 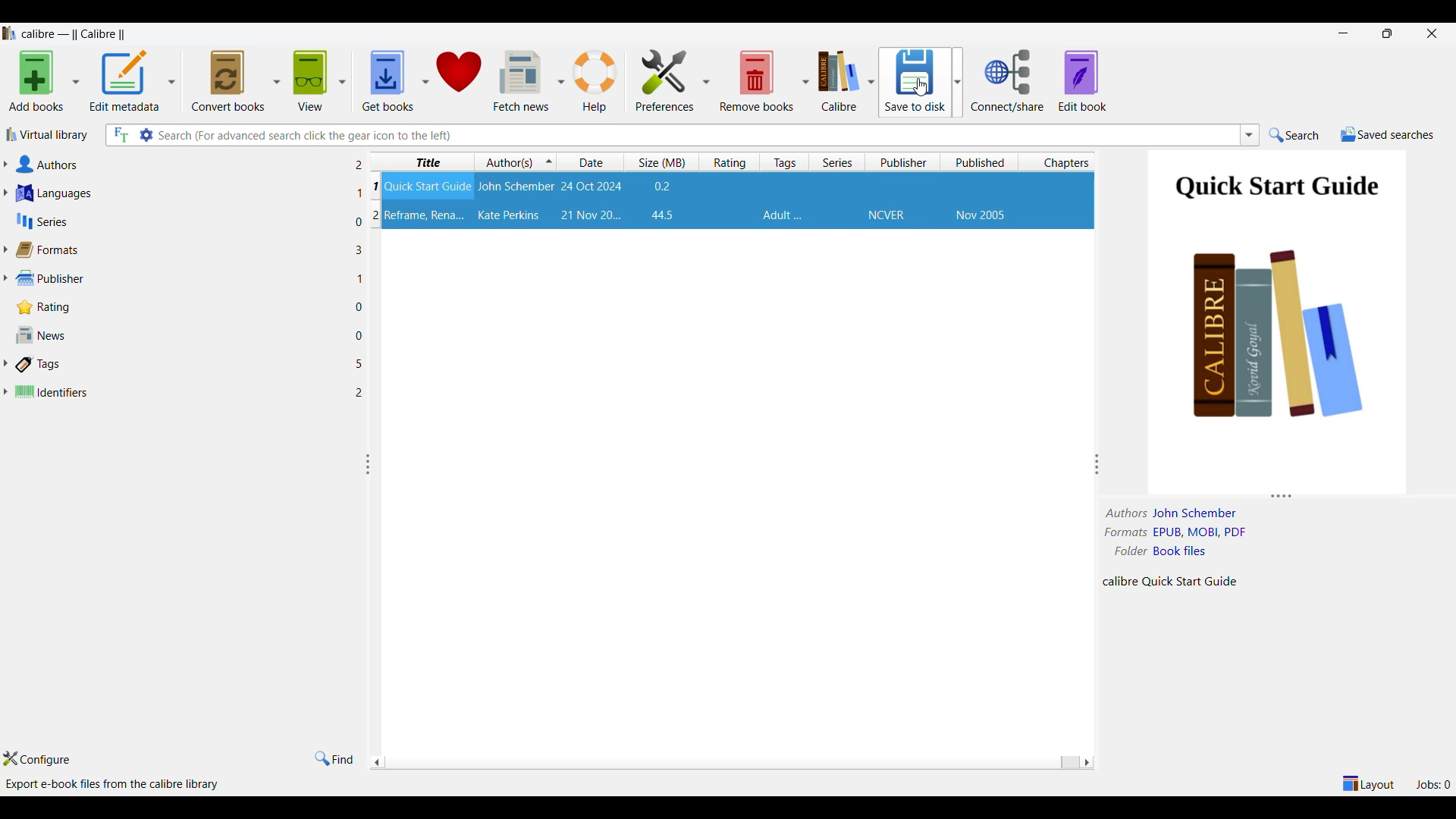 What do you see at coordinates (590, 215) in the screenshot?
I see `date` at bounding box center [590, 215].